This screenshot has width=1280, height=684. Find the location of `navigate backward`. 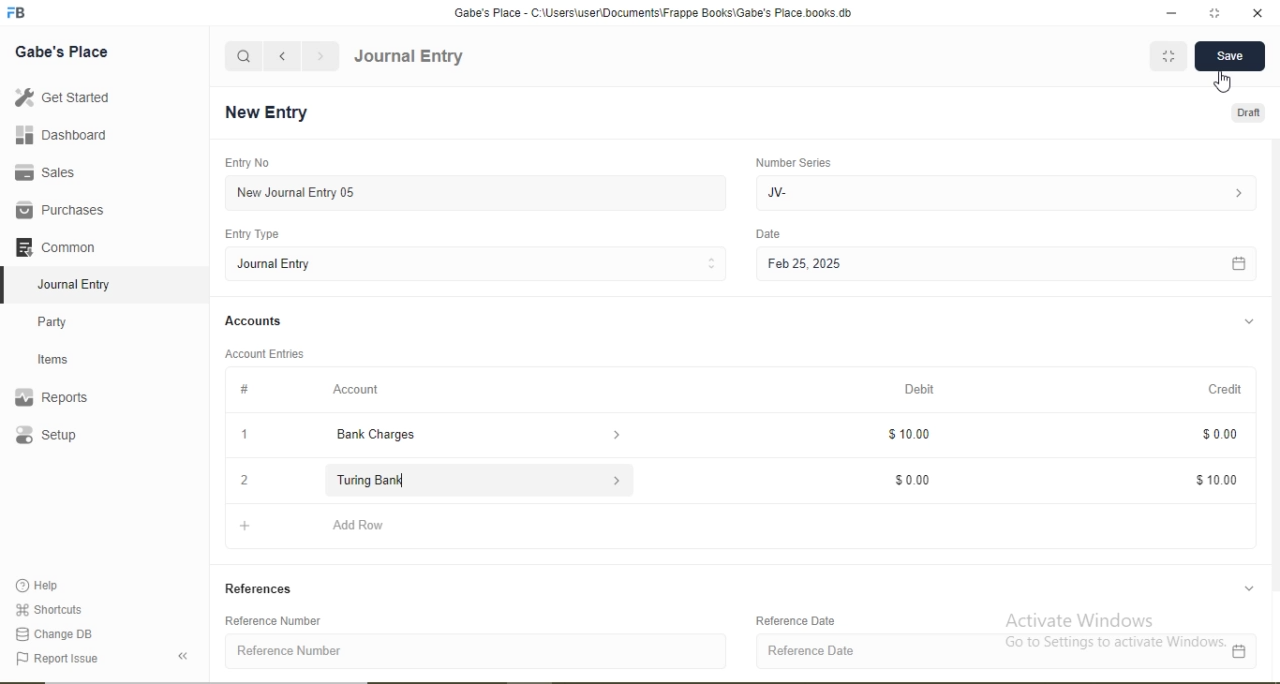

navigate backward is located at coordinates (281, 56).